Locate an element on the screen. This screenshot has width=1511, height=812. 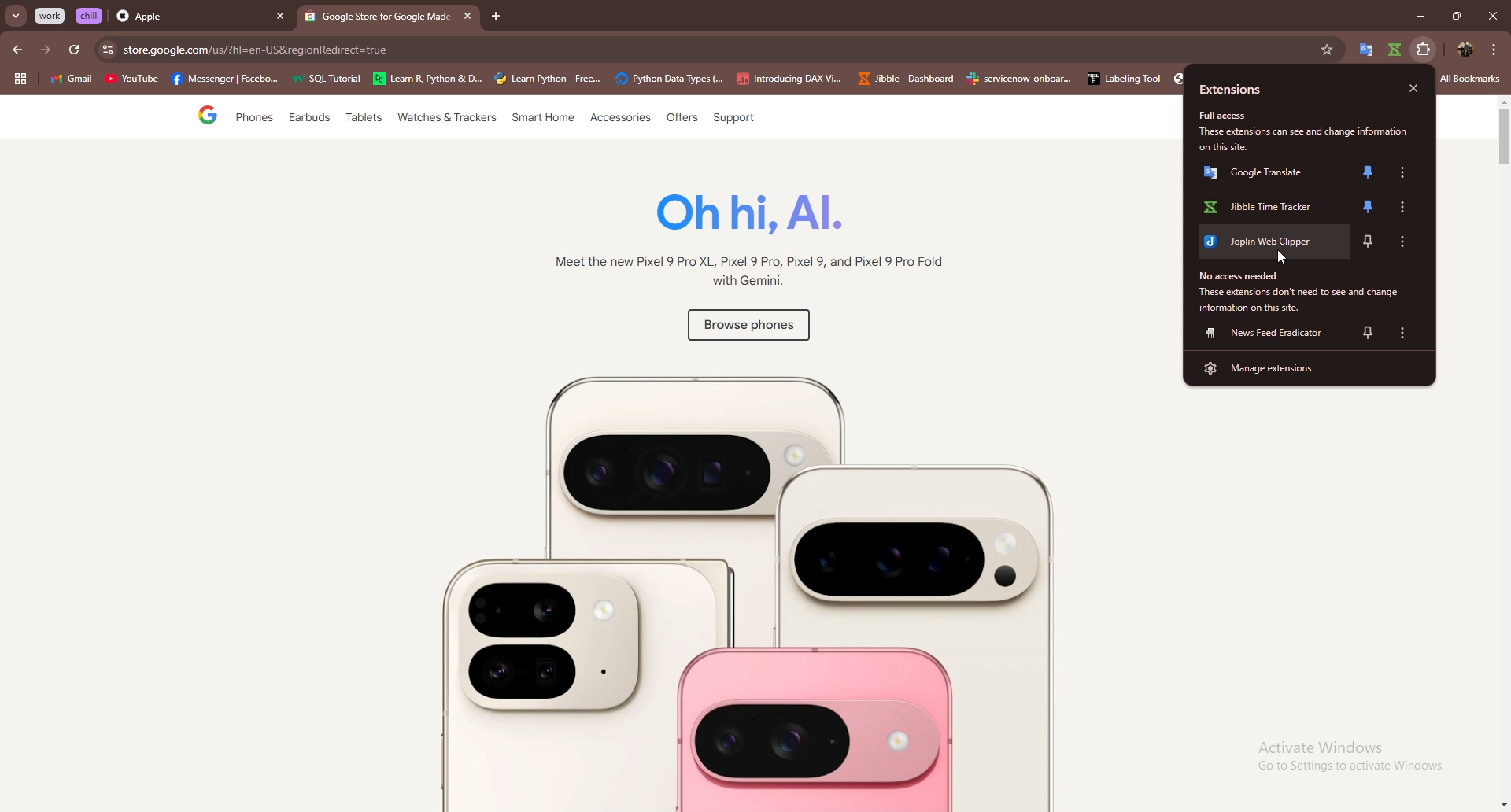
close is located at coordinates (1413, 89).